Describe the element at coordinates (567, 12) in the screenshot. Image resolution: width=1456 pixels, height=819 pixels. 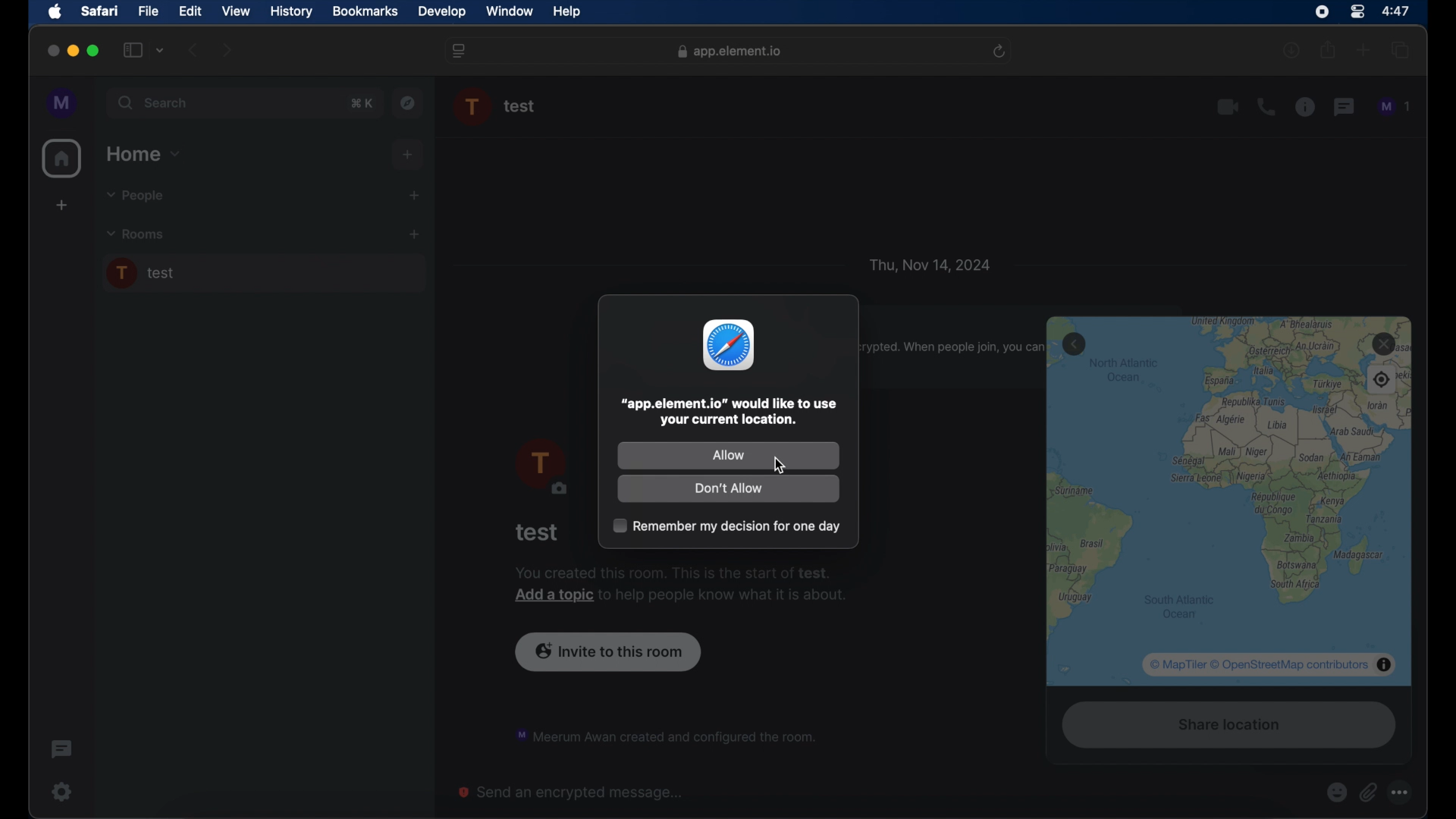
I see `help` at that location.